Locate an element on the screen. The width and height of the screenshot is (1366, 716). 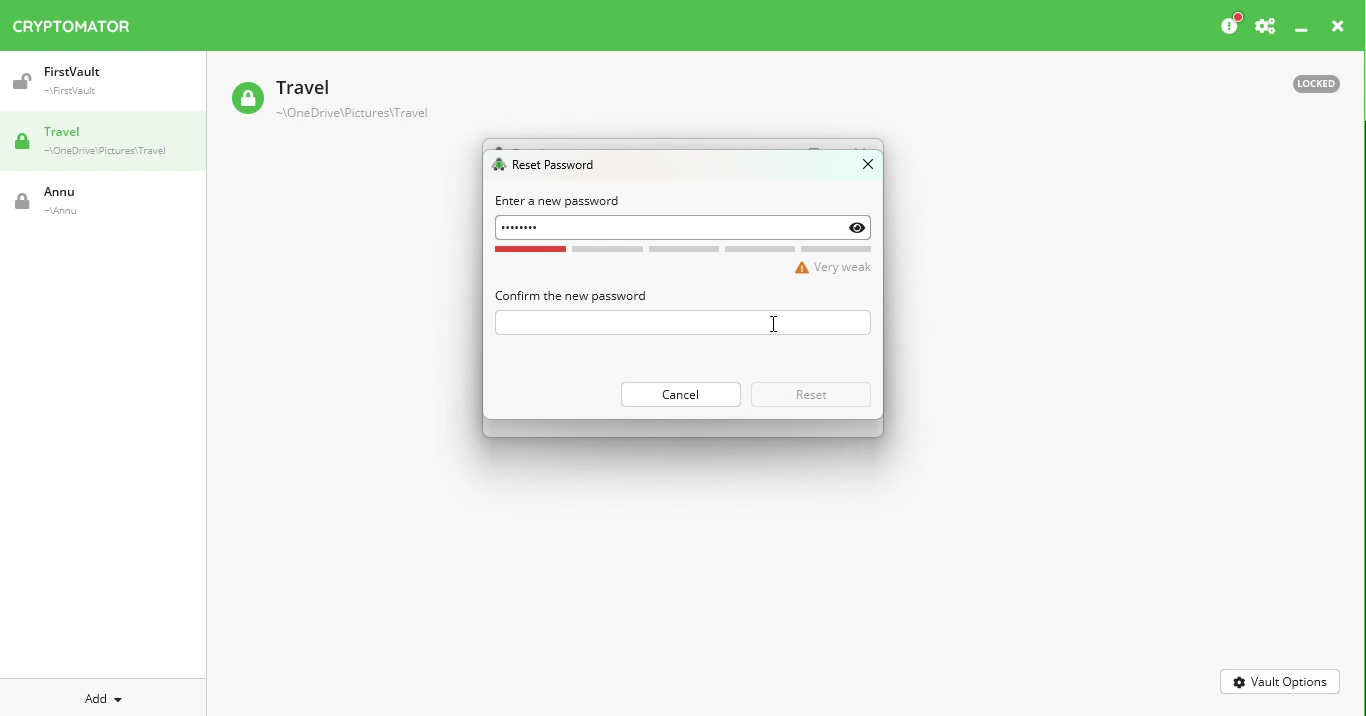
Cancel is located at coordinates (679, 394).